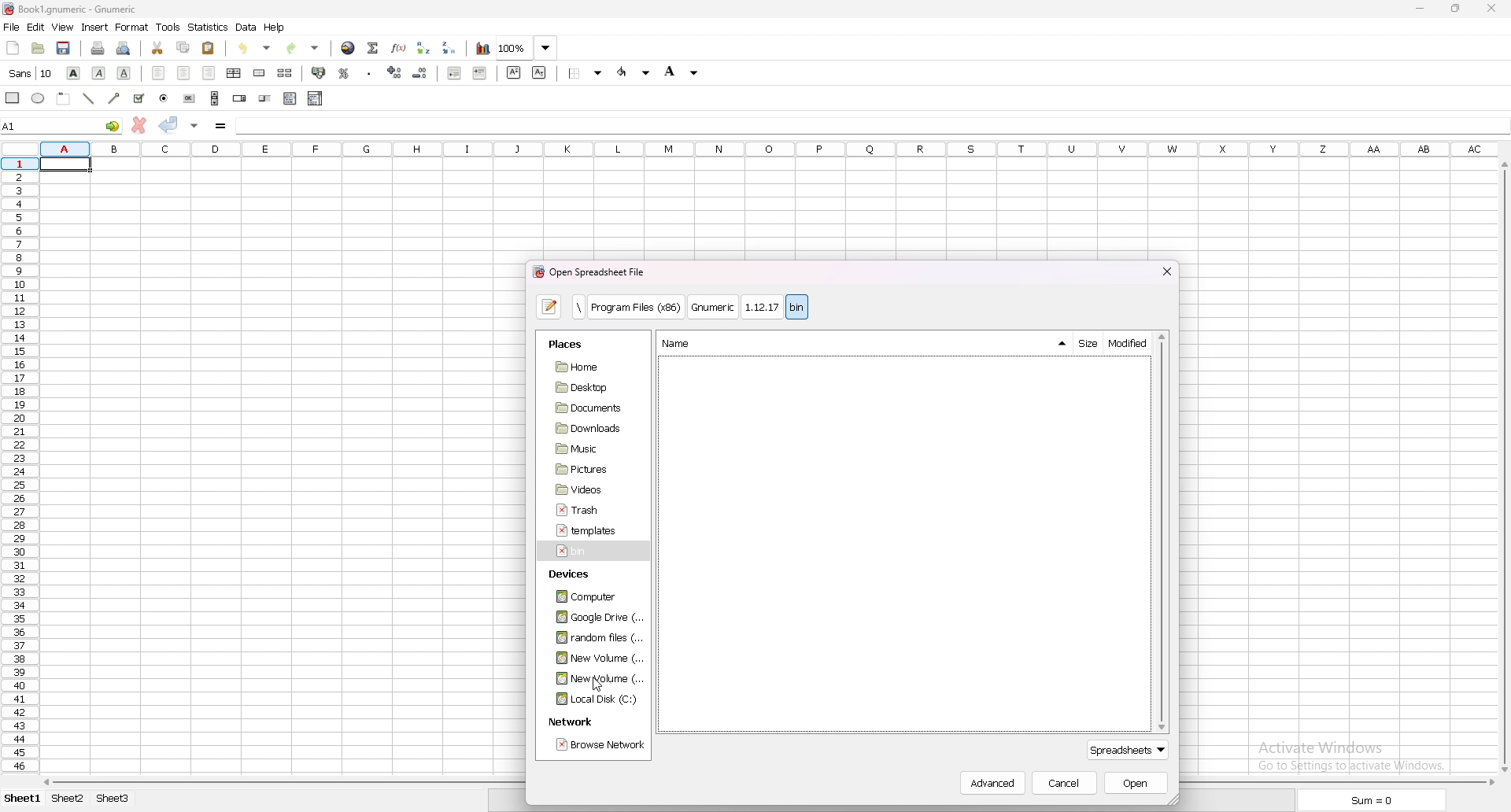 The height and width of the screenshot is (812, 1511). Describe the element at coordinates (573, 343) in the screenshot. I see `places` at that location.